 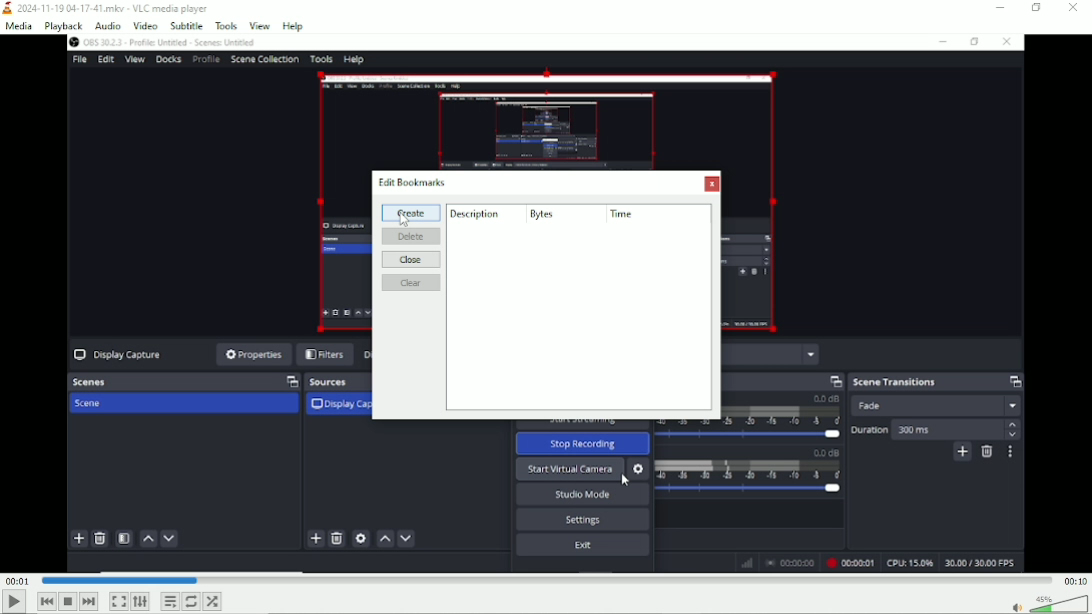 What do you see at coordinates (1073, 9) in the screenshot?
I see `Close` at bounding box center [1073, 9].